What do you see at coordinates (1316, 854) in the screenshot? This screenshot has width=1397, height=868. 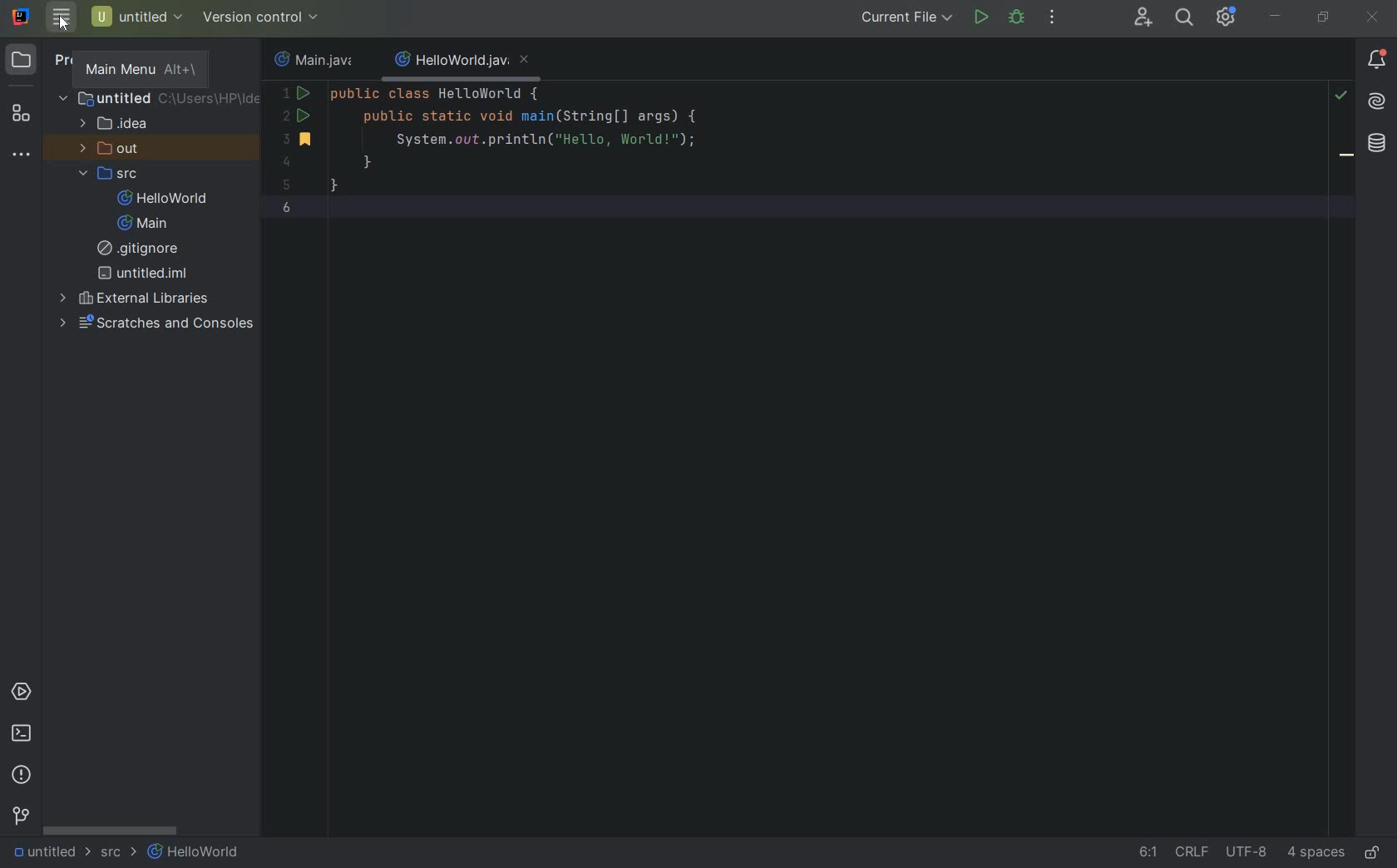 I see `Indent` at bounding box center [1316, 854].